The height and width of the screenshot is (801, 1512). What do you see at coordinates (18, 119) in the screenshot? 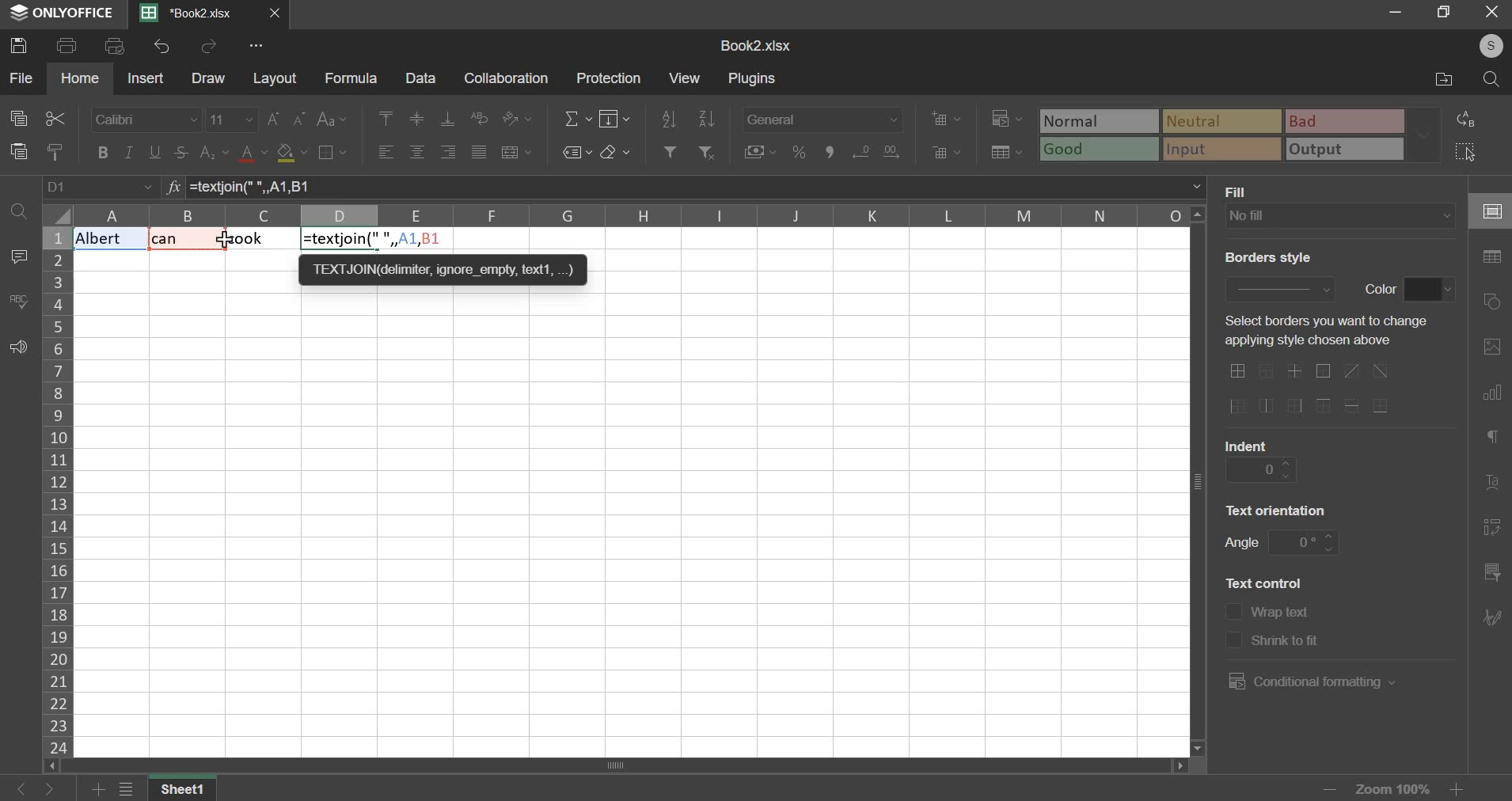
I see `copy` at bounding box center [18, 119].